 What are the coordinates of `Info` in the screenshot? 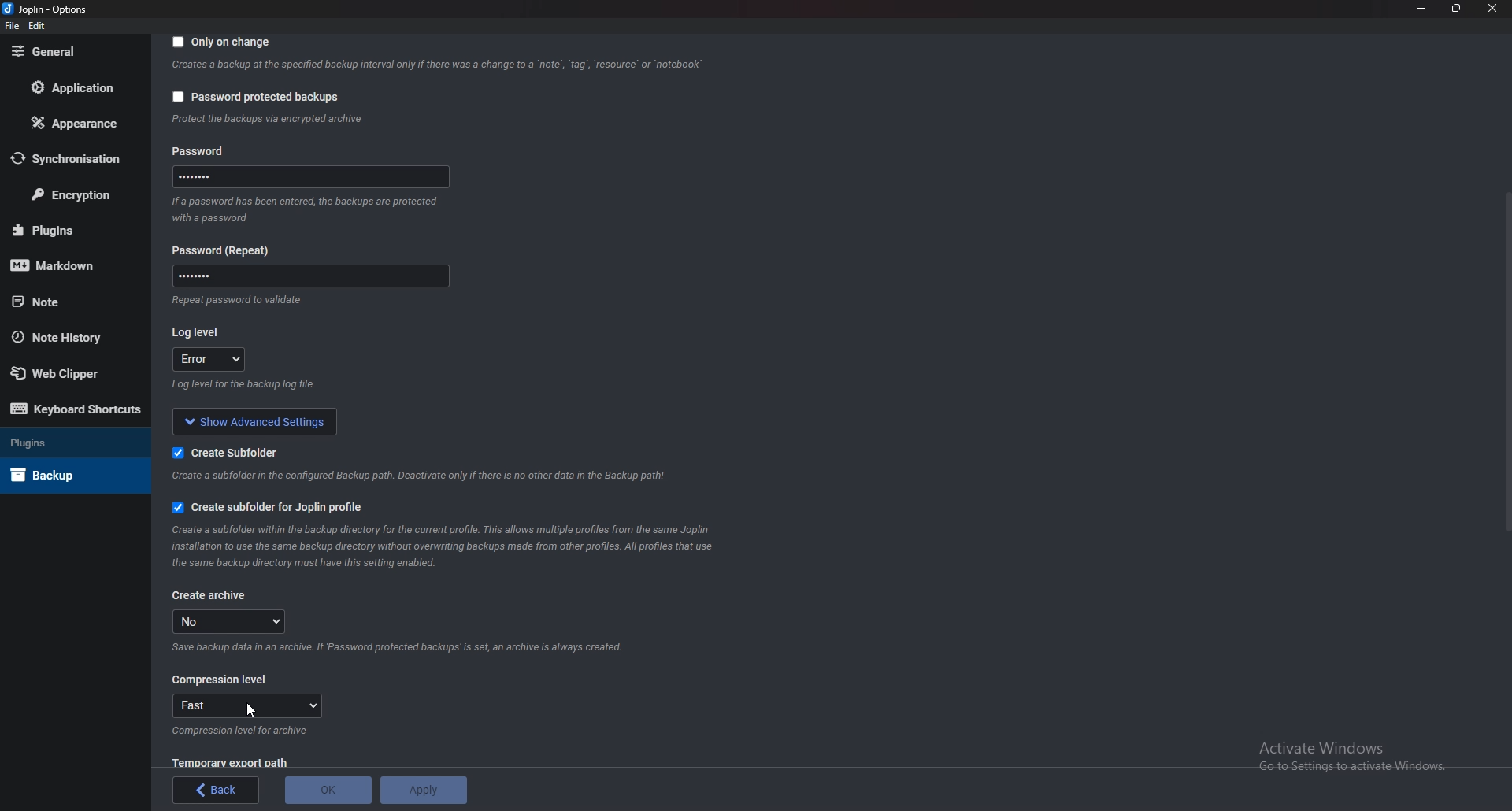 It's located at (405, 646).